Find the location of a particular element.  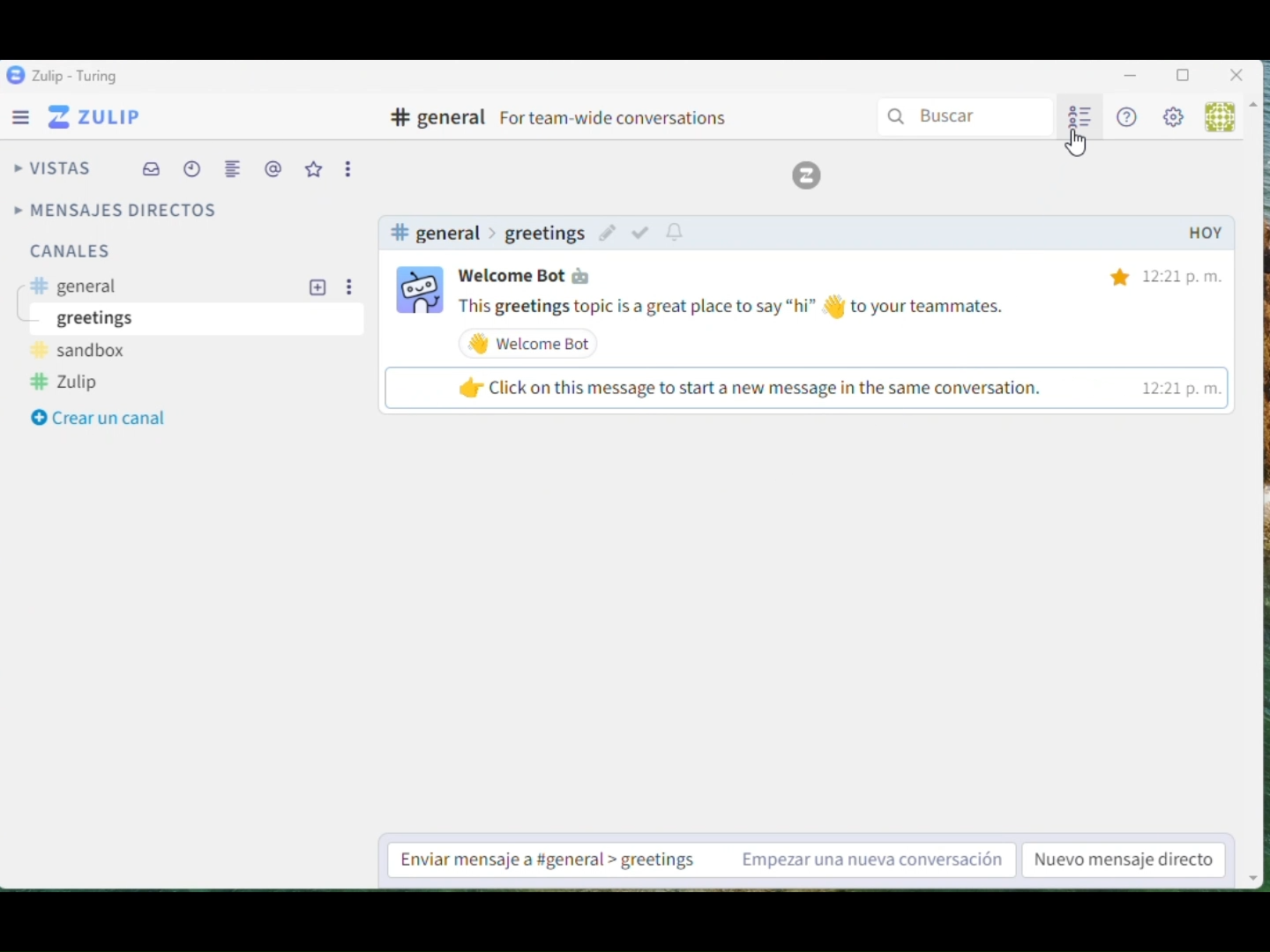

Down is located at coordinates (1255, 867).